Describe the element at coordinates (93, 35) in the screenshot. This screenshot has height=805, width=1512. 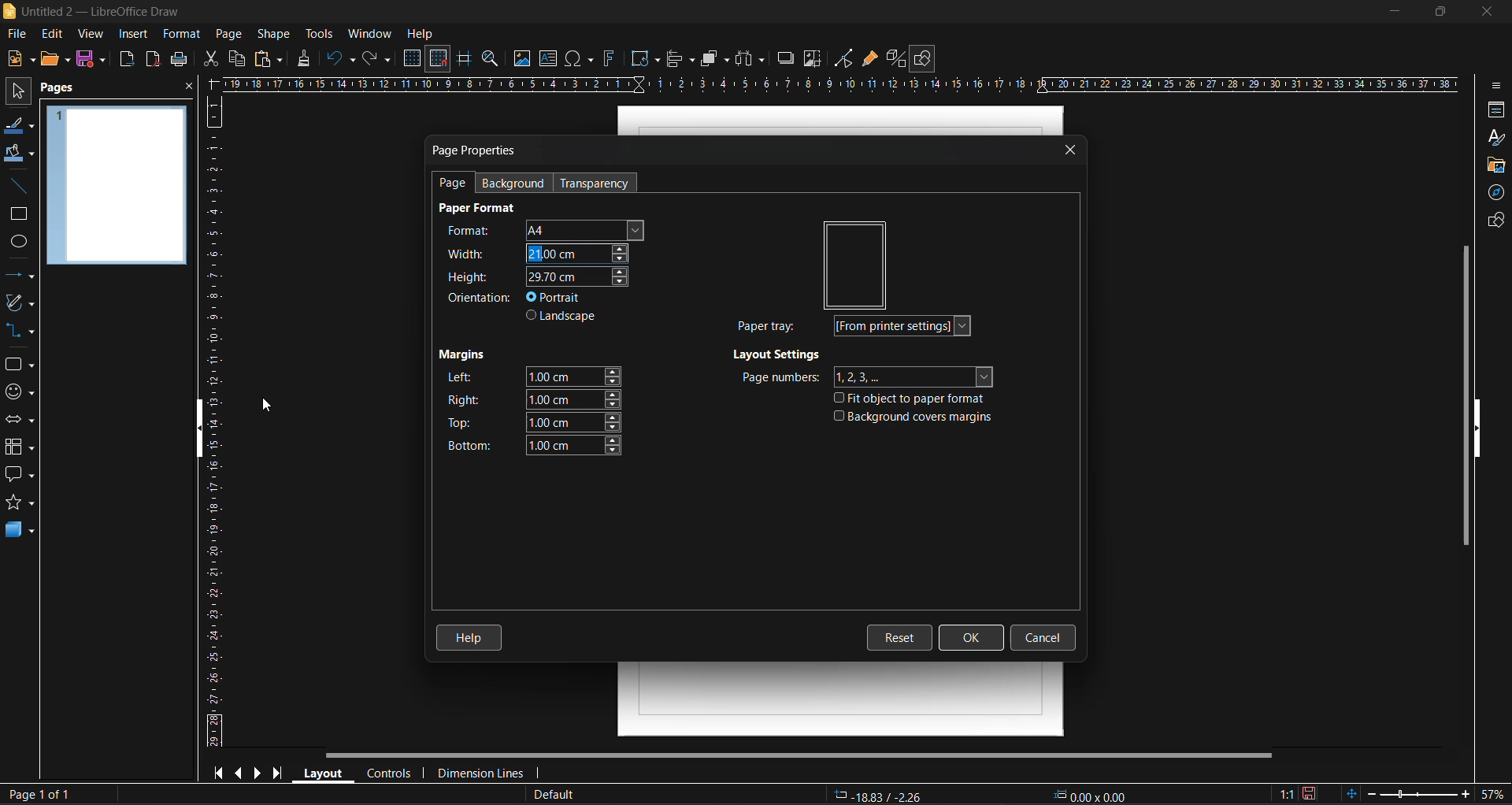
I see `view` at that location.